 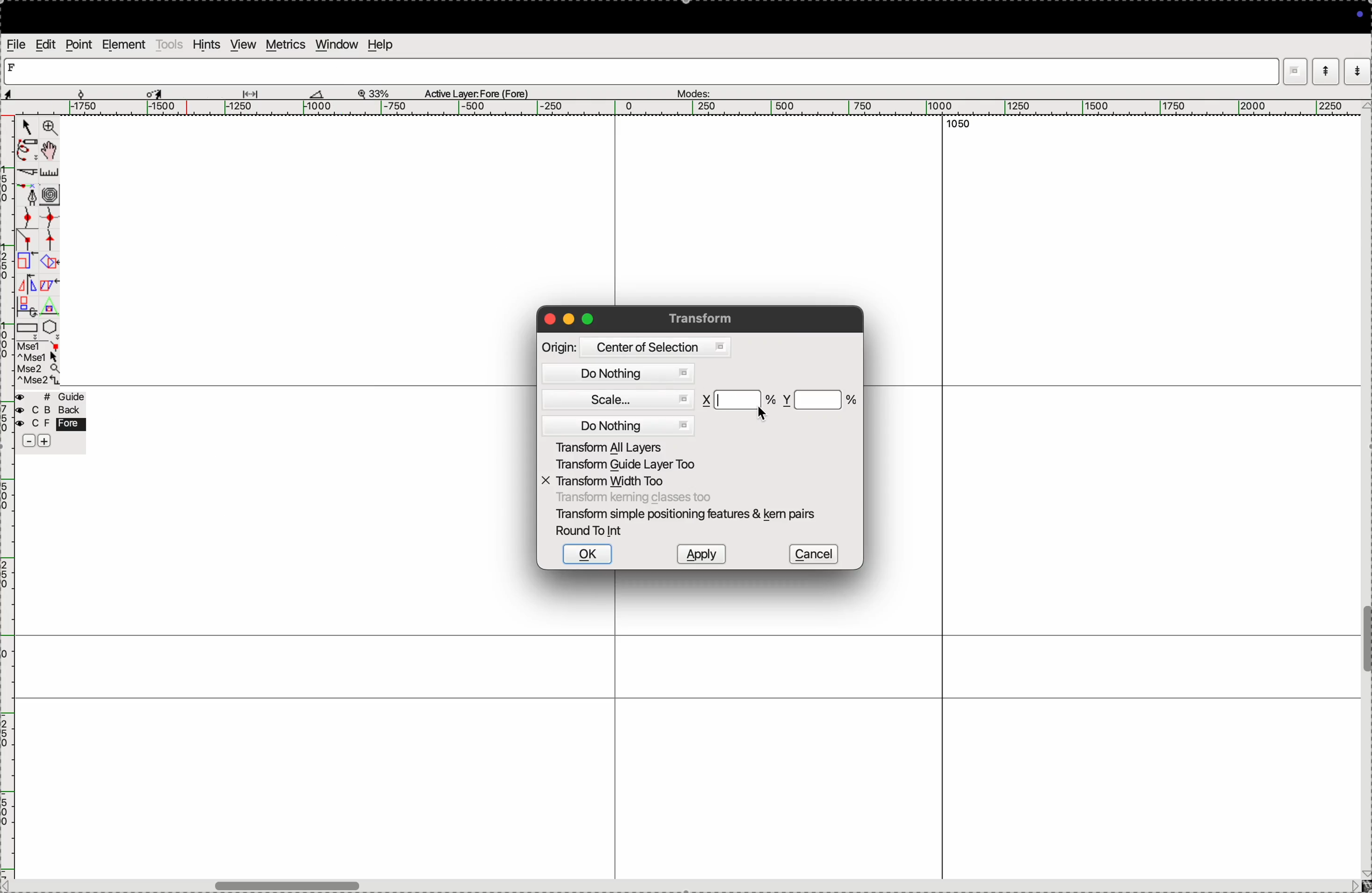 What do you see at coordinates (14, 67) in the screenshot?
I see `letter F` at bounding box center [14, 67].